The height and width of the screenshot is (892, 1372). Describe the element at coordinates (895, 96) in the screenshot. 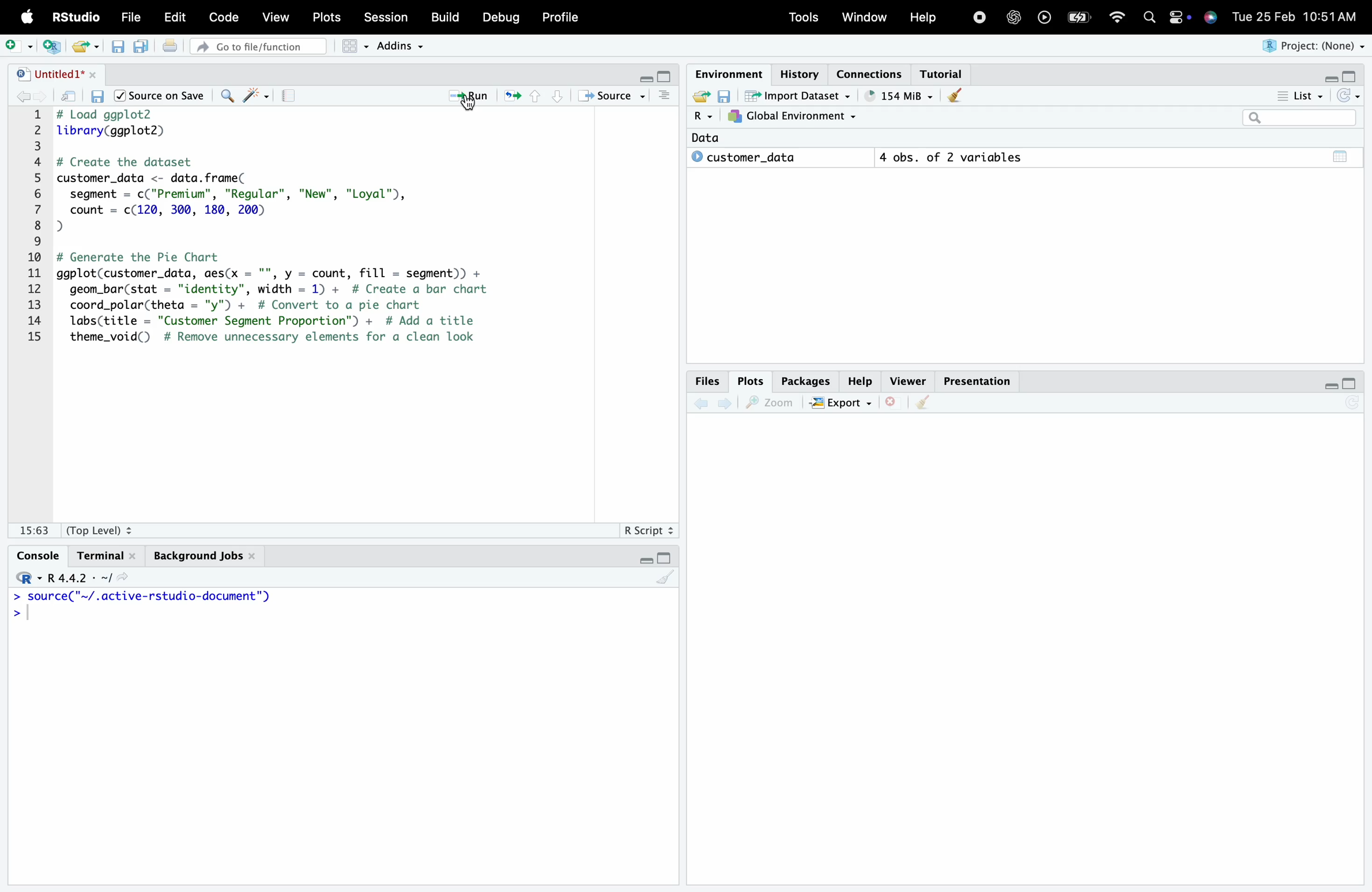

I see `" 86 MiB` at that location.